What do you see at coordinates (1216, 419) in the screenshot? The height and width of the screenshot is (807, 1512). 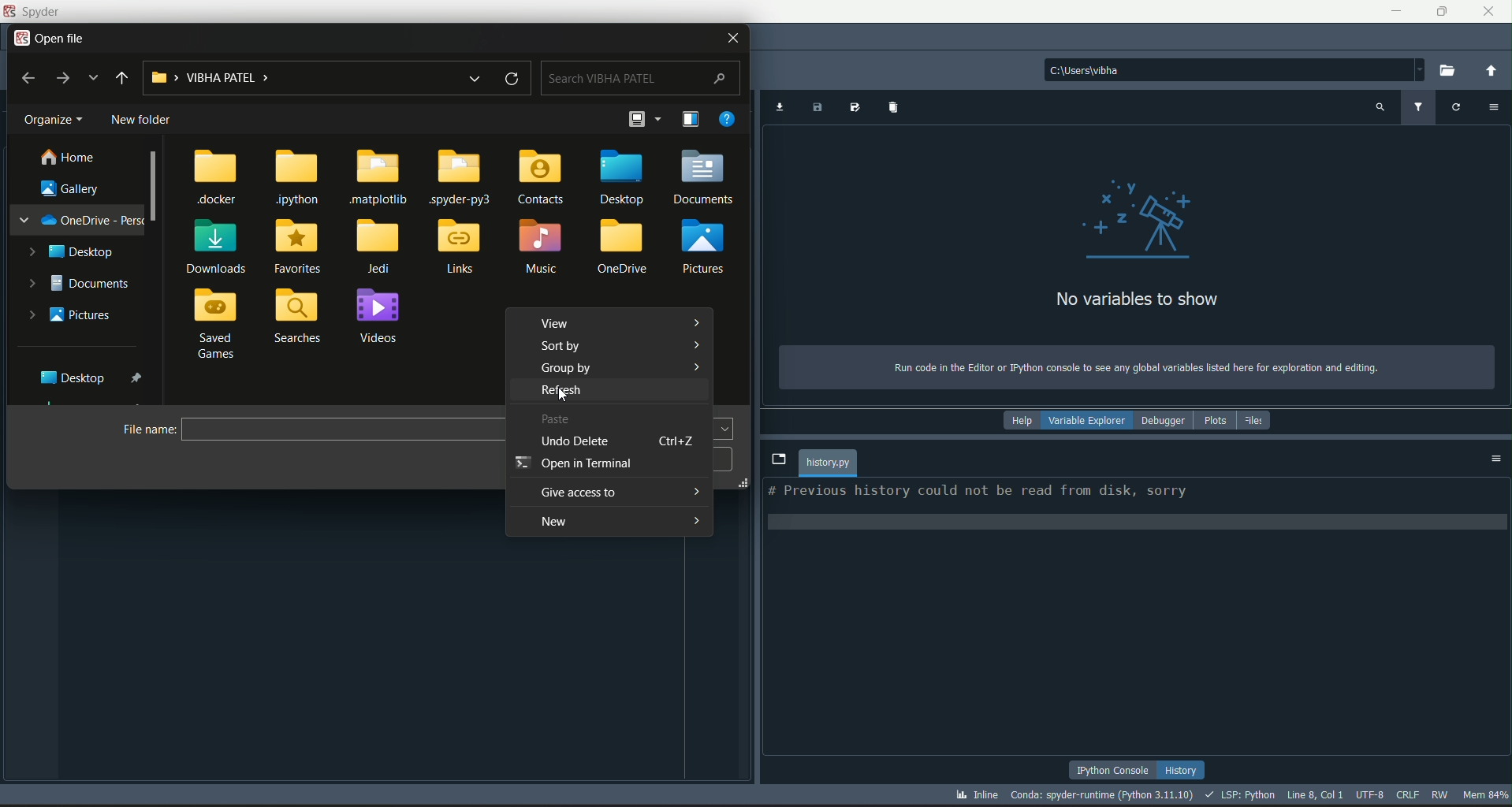 I see `plots` at bounding box center [1216, 419].